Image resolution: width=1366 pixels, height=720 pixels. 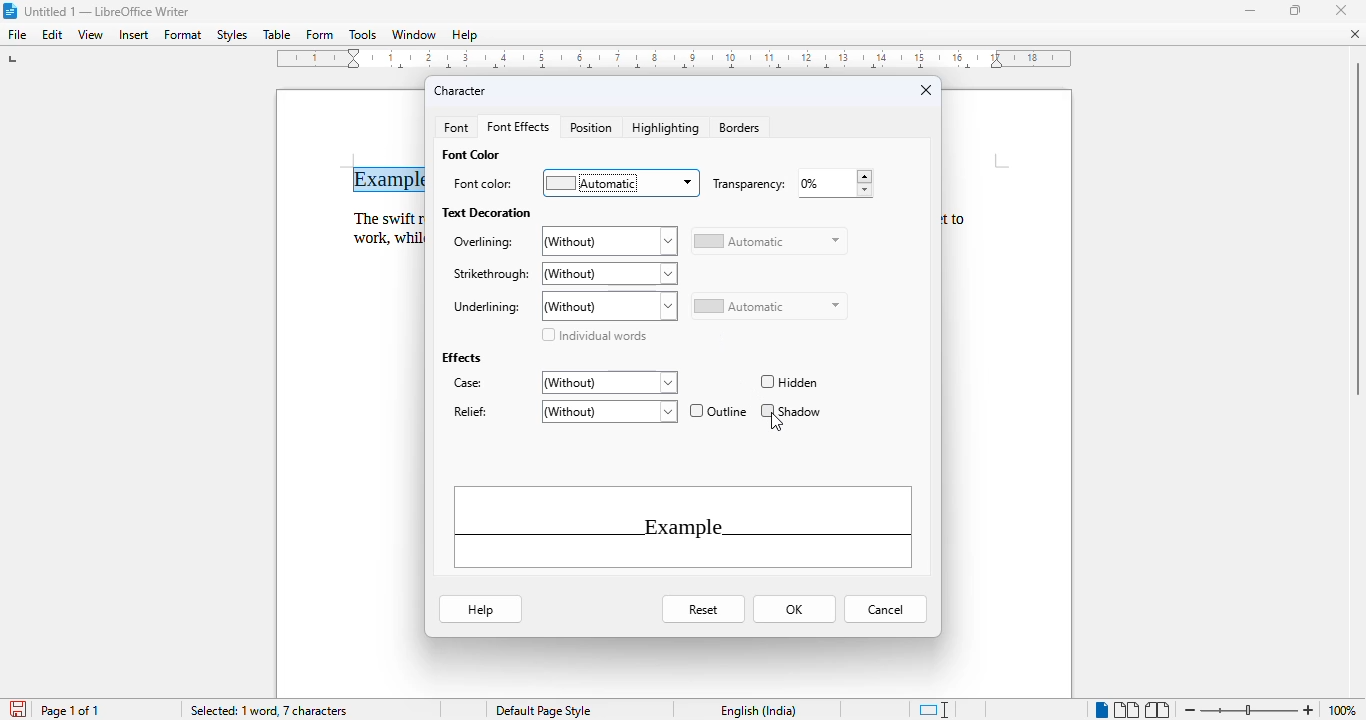 I want to click on zoom out, so click(x=1190, y=710).